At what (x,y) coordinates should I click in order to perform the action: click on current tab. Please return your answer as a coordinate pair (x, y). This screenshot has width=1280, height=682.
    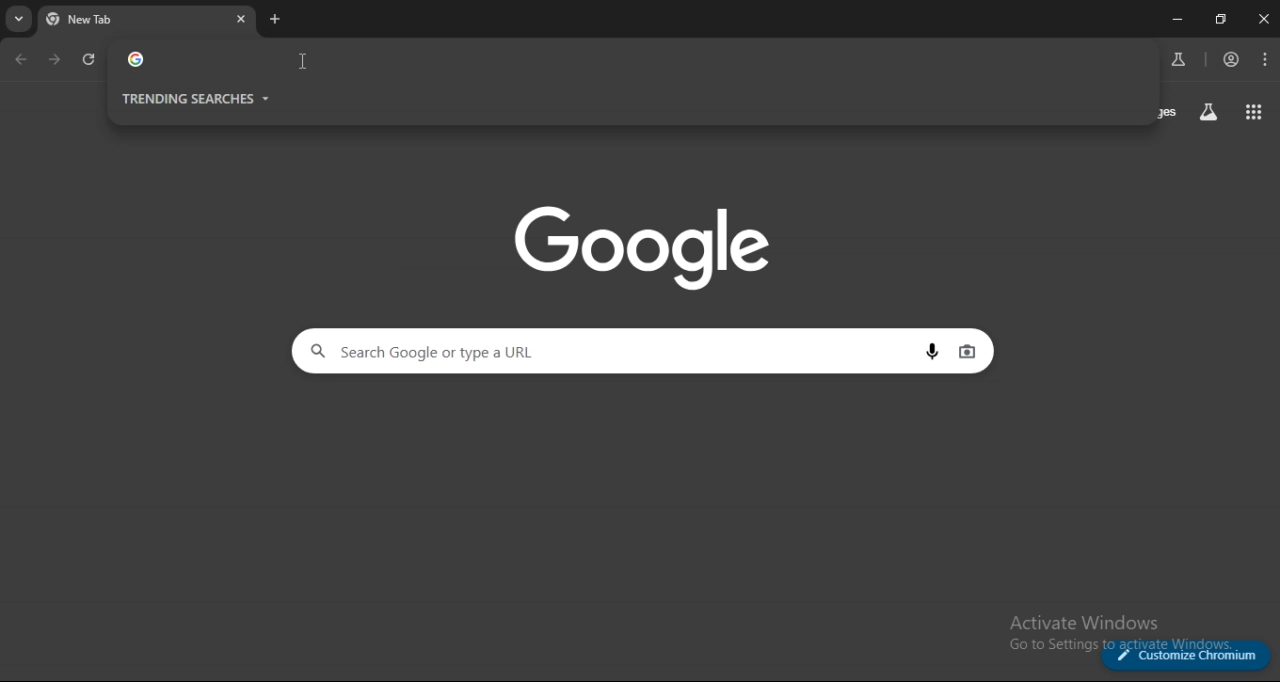
    Looking at the image, I should click on (113, 19).